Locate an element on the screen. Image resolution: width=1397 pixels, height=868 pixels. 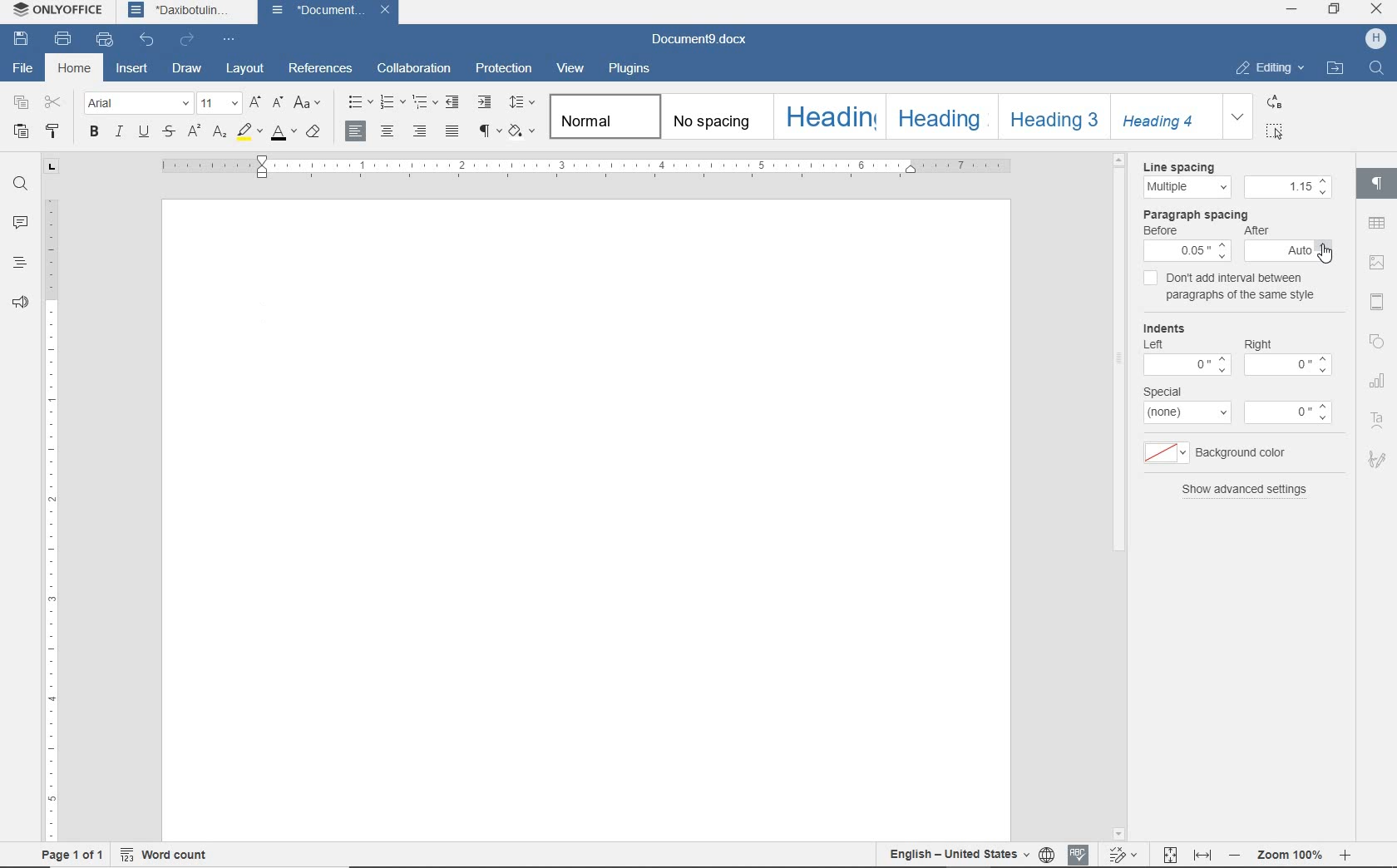
file is located at coordinates (24, 72).